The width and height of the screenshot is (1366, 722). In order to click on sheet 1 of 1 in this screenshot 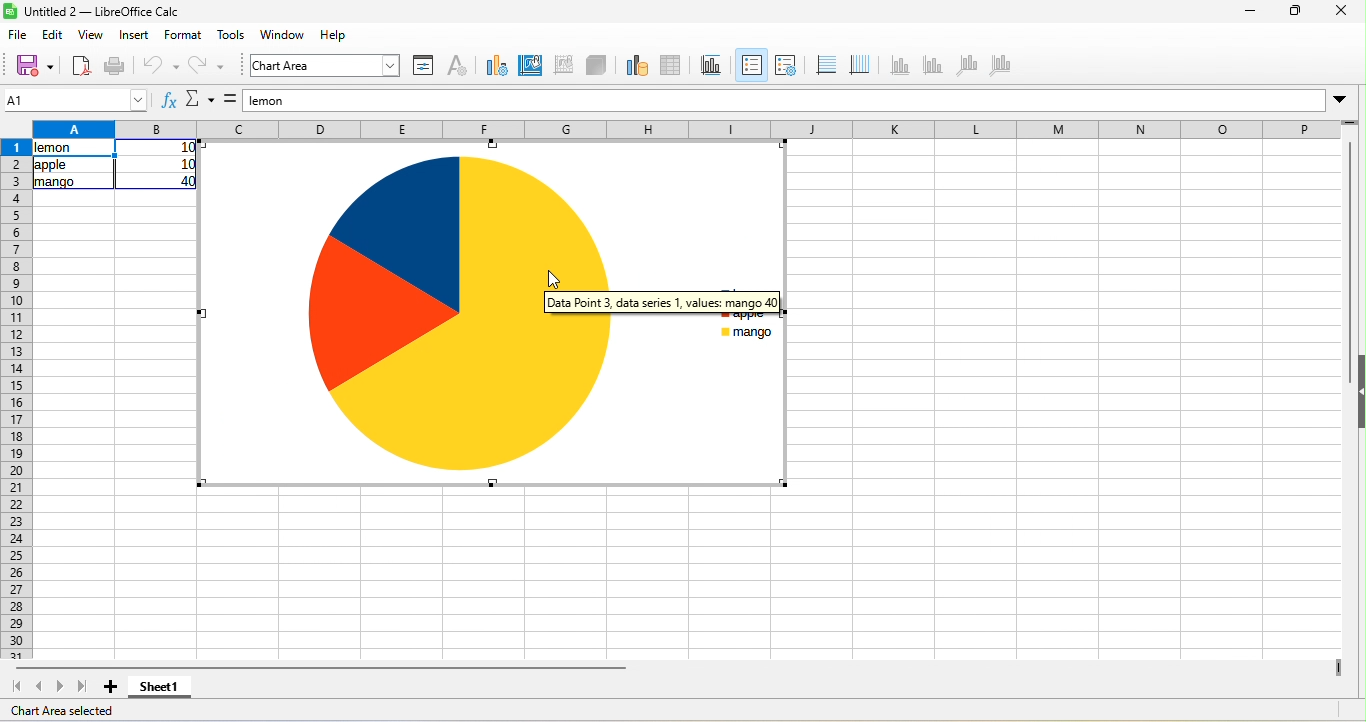, I will do `click(72, 711)`.